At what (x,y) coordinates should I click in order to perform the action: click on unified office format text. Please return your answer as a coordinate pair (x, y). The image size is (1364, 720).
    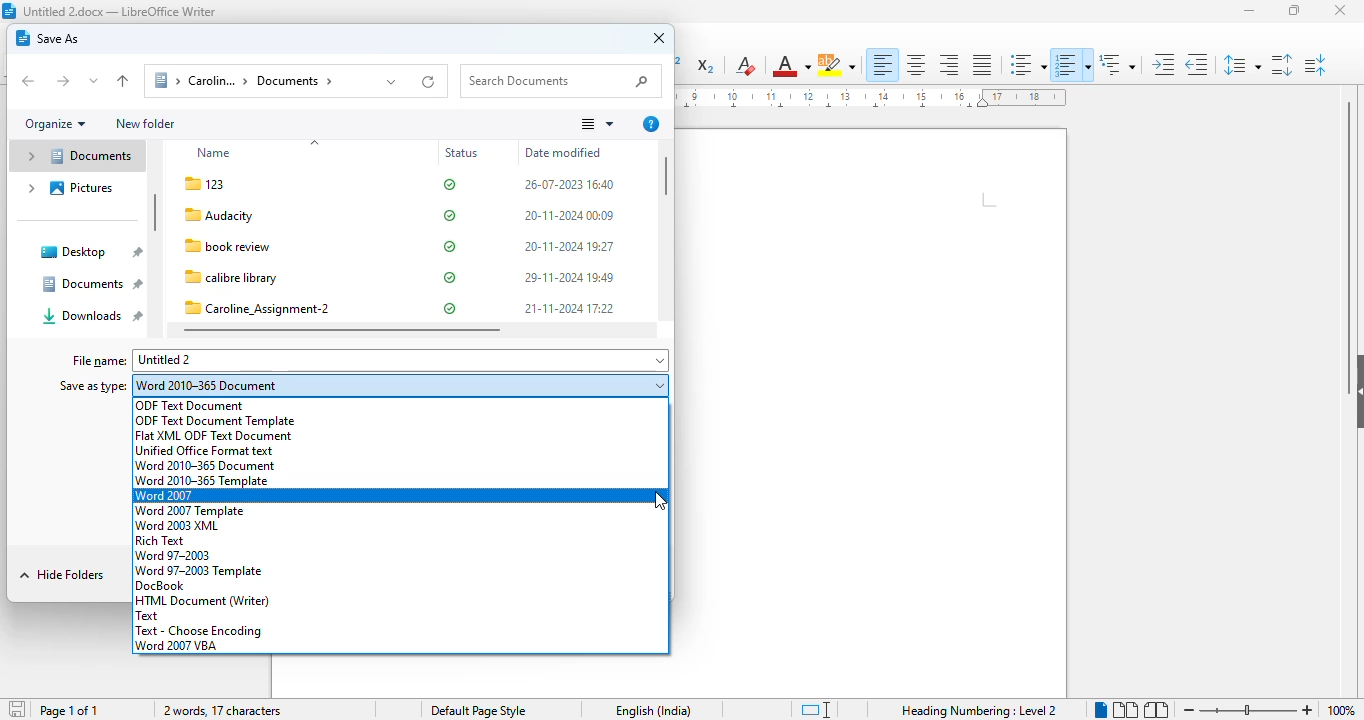
    Looking at the image, I should click on (205, 451).